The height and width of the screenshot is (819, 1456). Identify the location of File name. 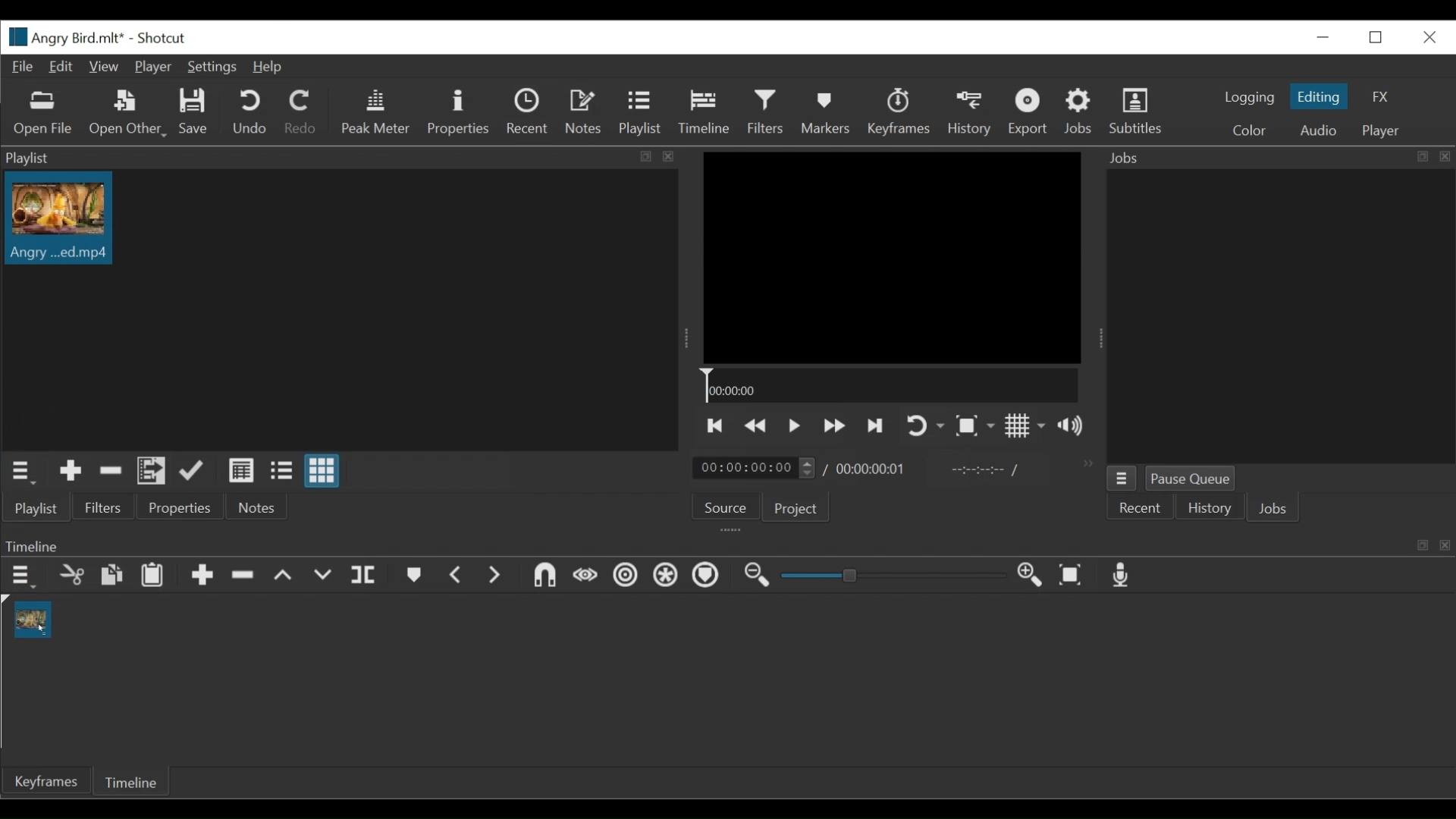
(62, 37).